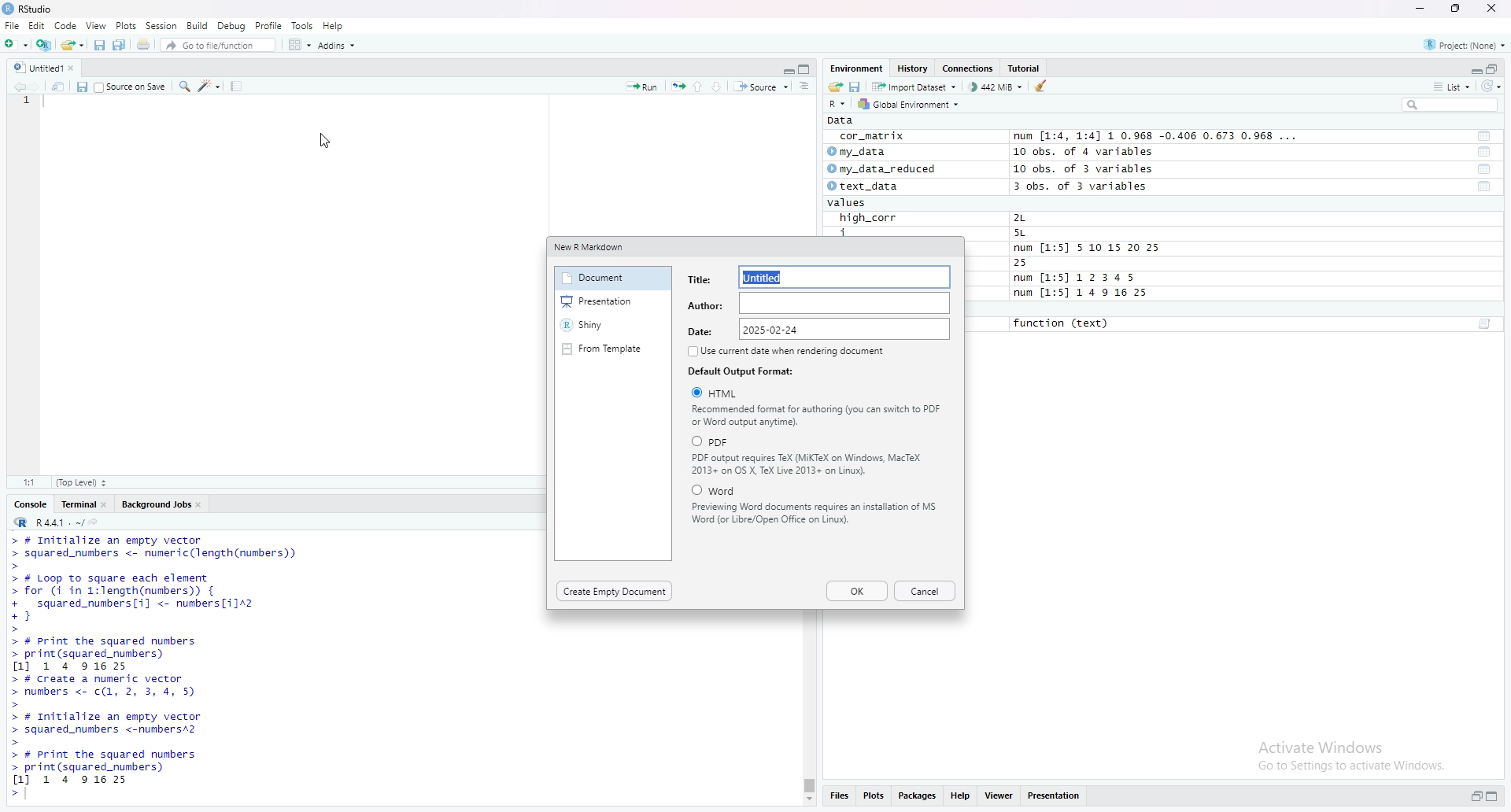  I want to click on Author:, so click(703, 306).